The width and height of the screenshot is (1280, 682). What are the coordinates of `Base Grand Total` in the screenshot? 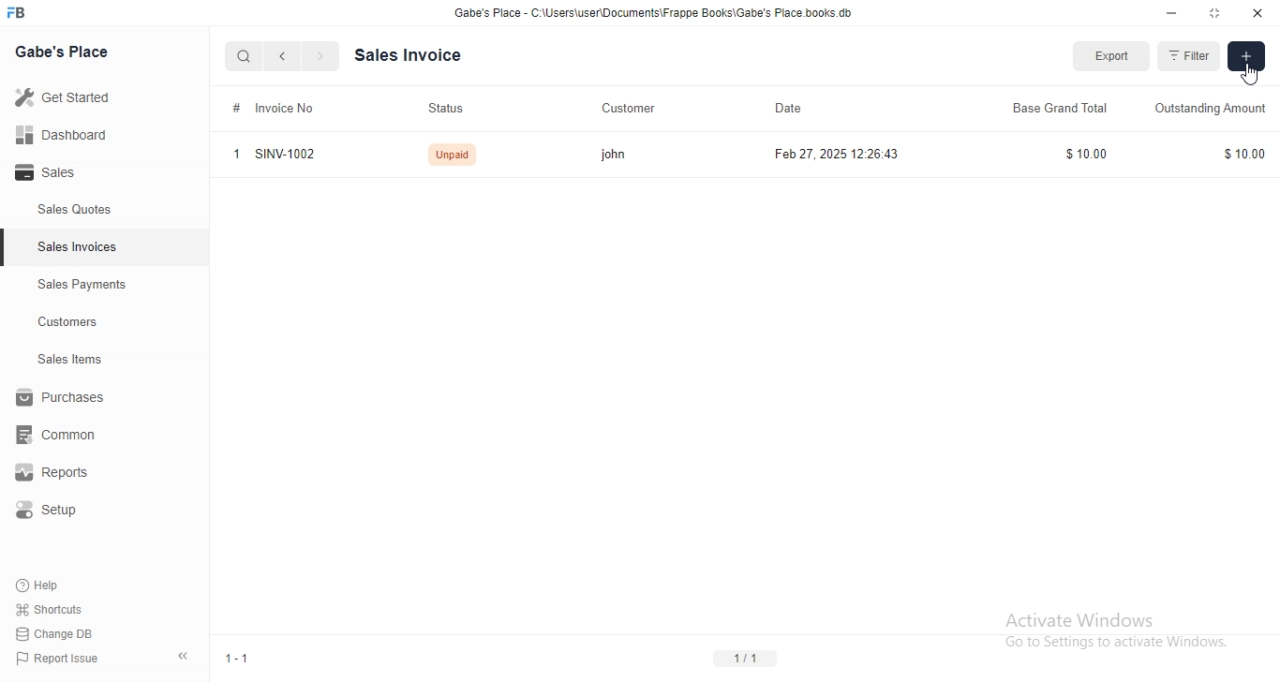 It's located at (1066, 110).